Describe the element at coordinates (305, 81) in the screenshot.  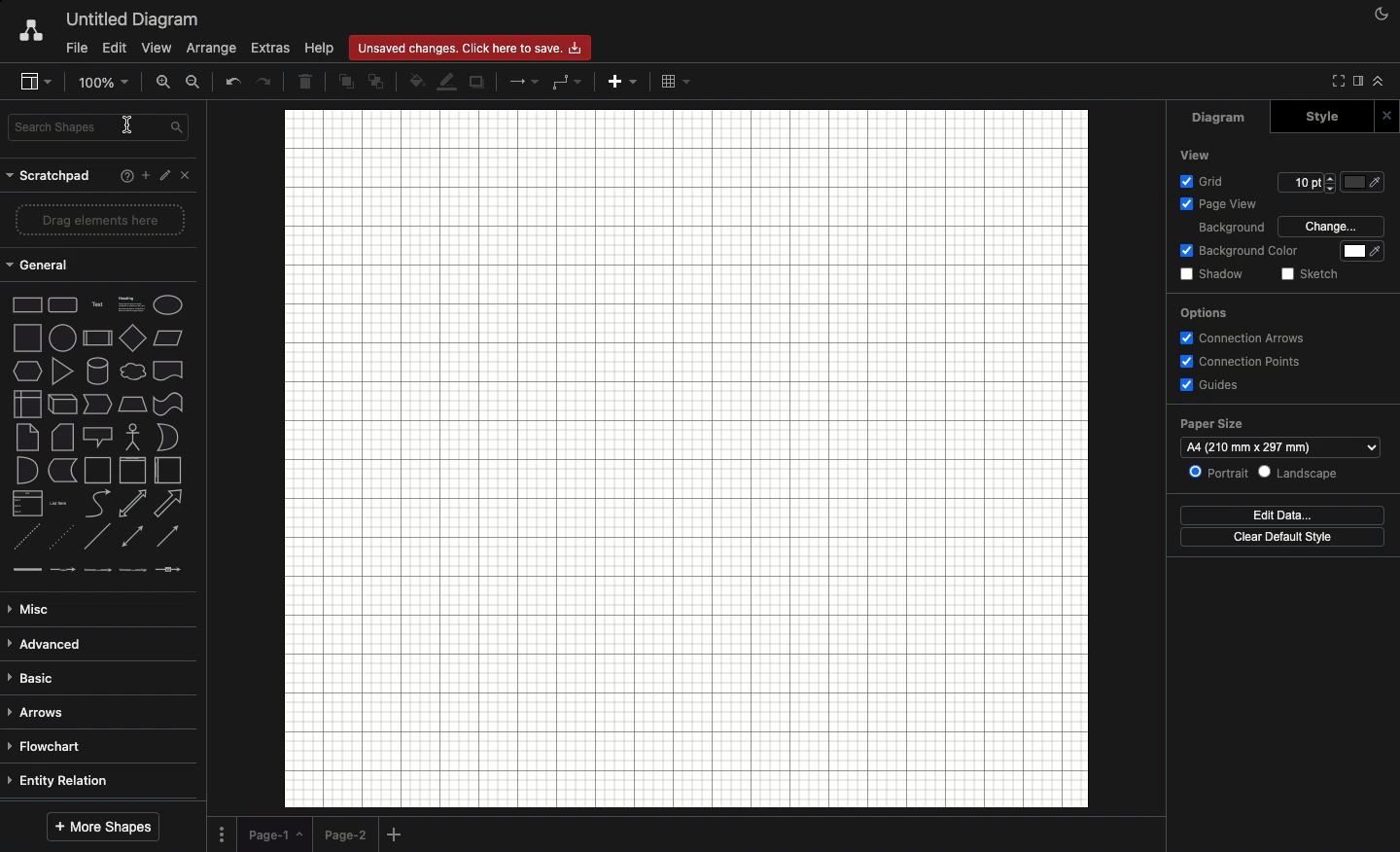
I see `Delete` at that location.